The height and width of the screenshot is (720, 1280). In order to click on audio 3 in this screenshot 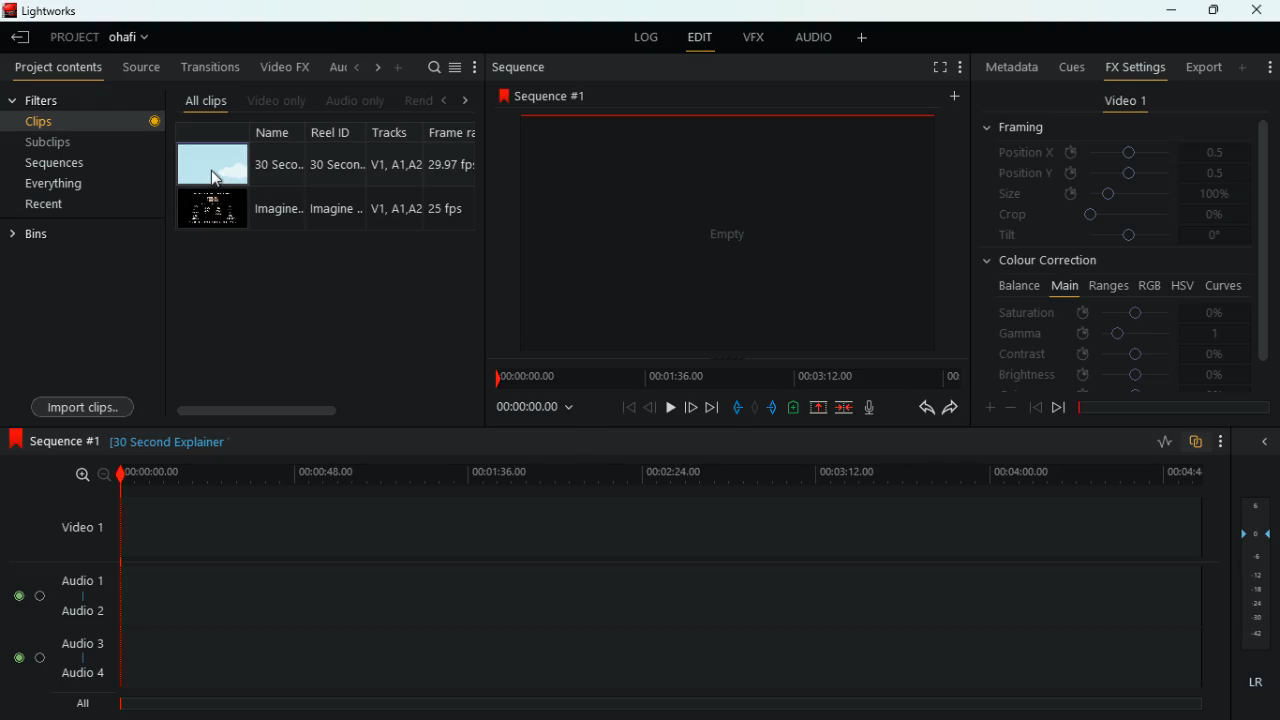, I will do `click(77, 642)`.